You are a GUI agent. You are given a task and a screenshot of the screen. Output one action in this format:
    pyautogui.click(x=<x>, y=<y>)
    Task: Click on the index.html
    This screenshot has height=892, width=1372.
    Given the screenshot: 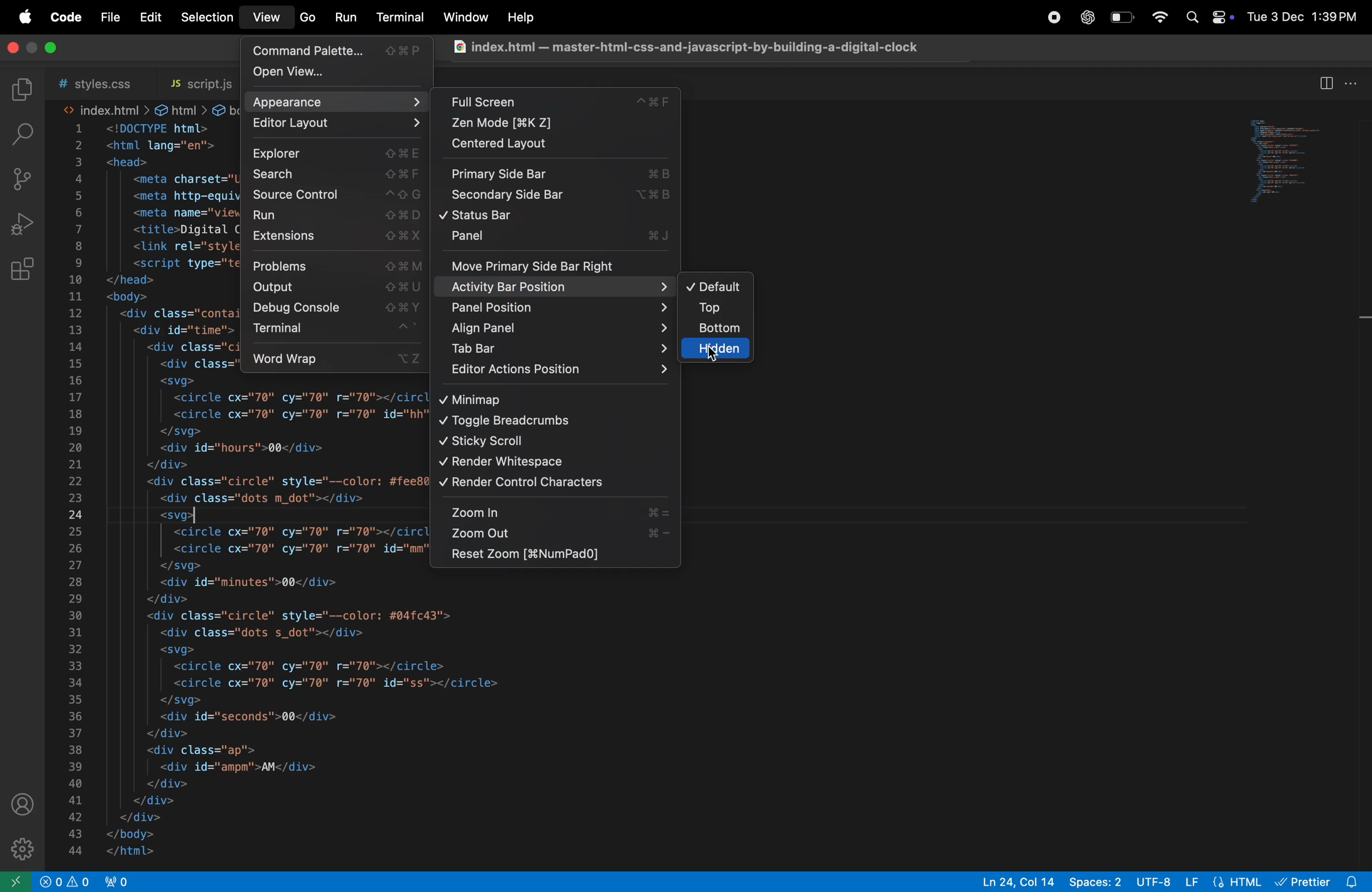 What is the action you would take?
    pyautogui.click(x=104, y=109)
    